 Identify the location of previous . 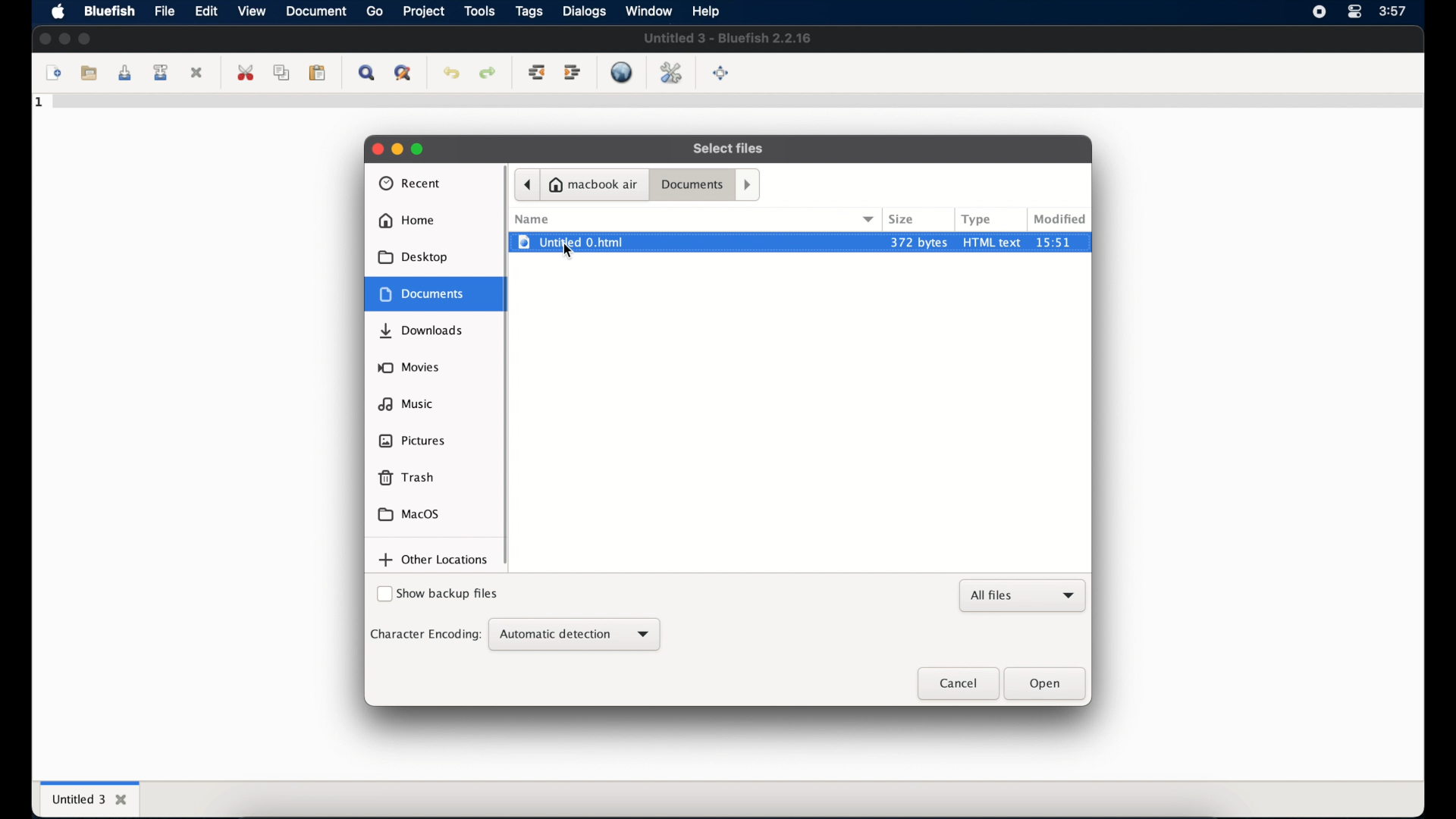
(526, 184).